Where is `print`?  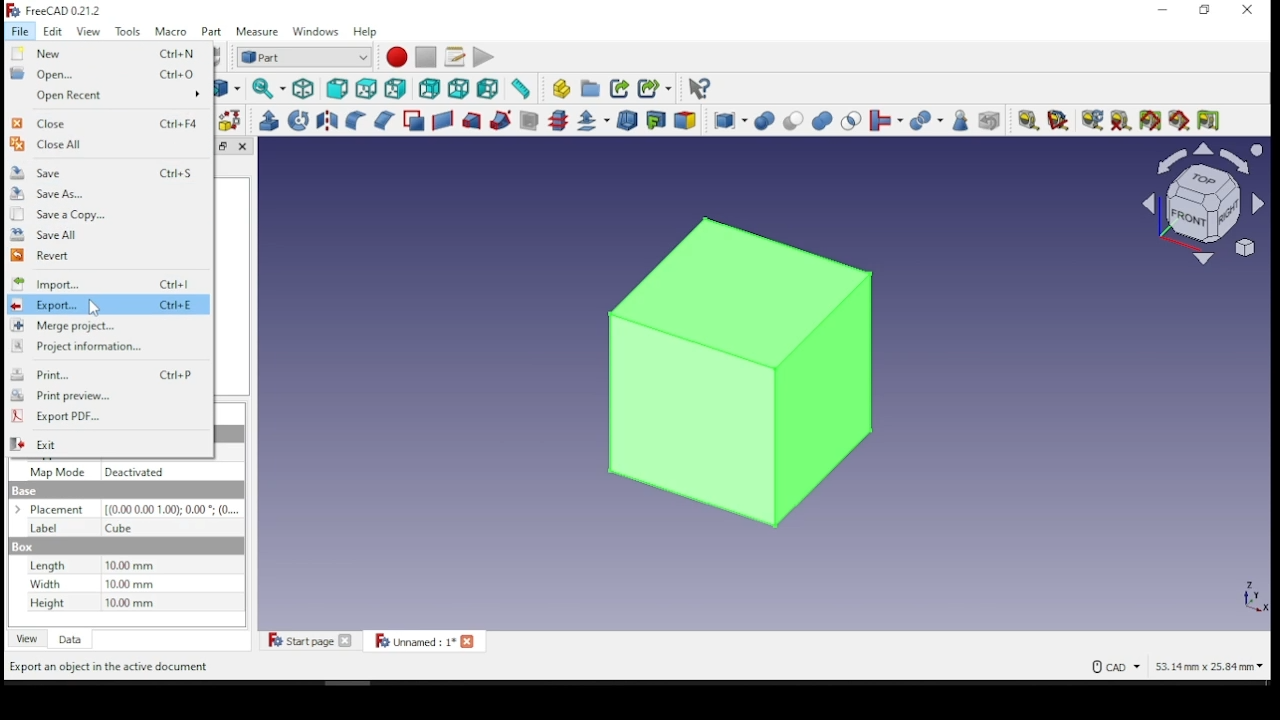
print is located at coordinates (105, 372).